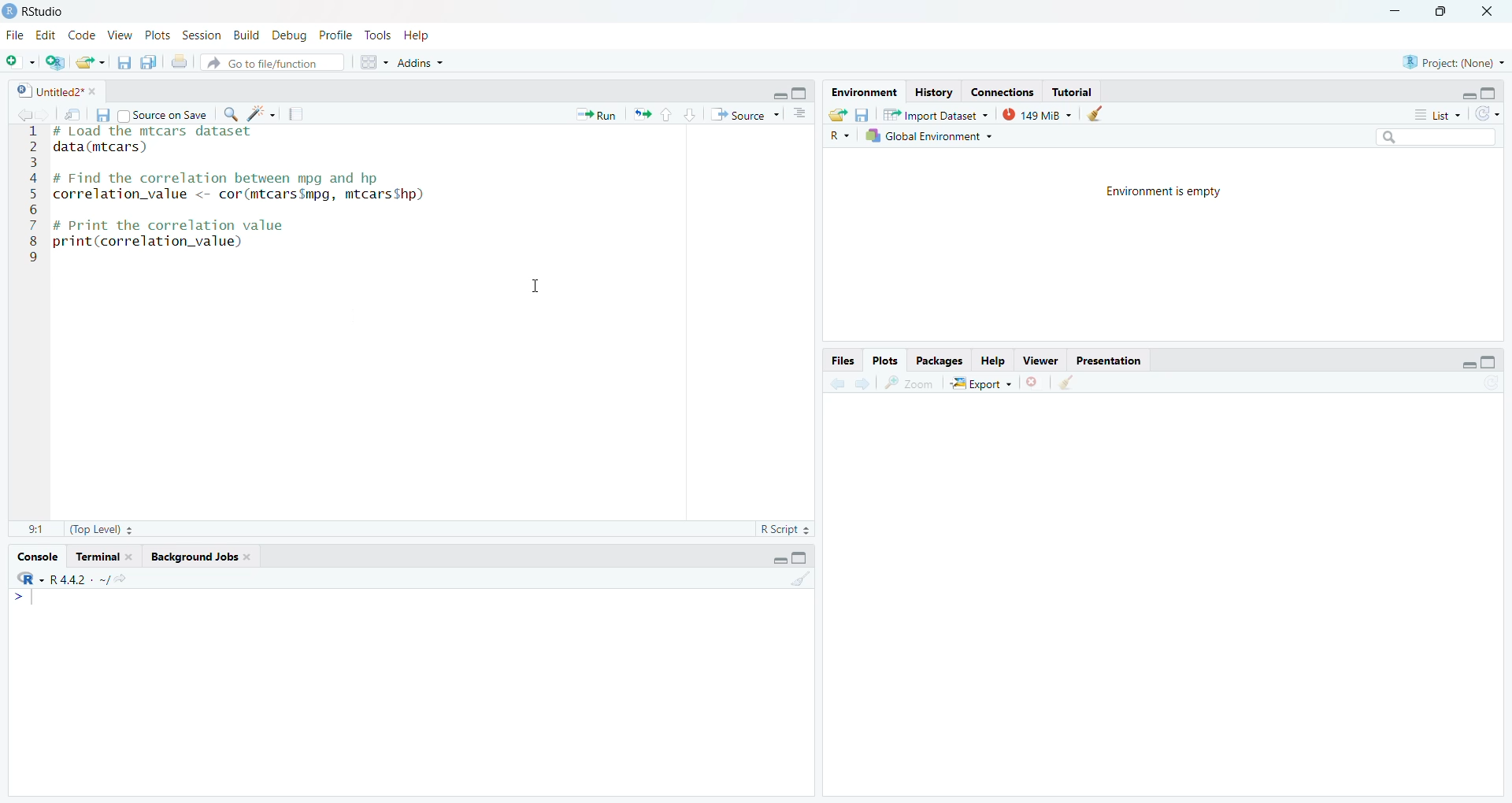 The image size is (1512, 803). What do you see at coordinates (802, 113) in the screenshot?
I see `Show document outline (Ctrl + Shift + O)` at bounding box center [802, 113].